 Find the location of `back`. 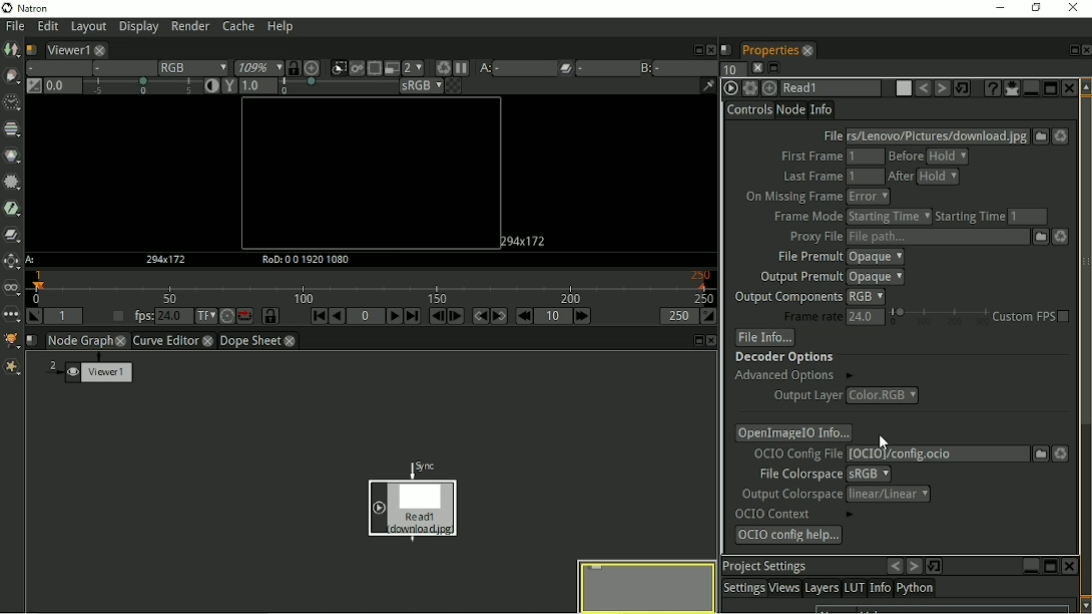

back is located at coordinates (893, 566).